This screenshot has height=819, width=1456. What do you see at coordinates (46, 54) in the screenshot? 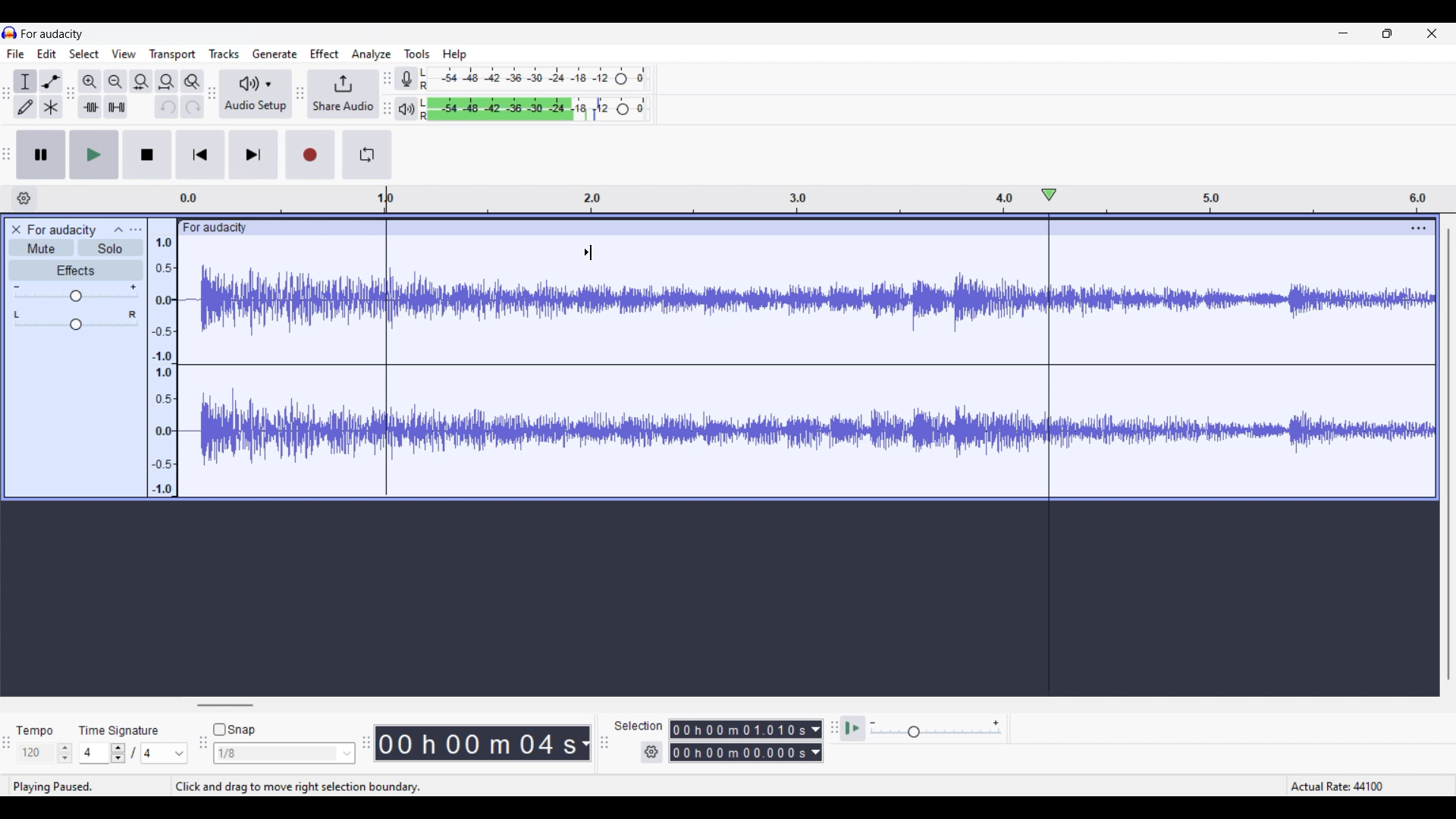
I see `Edit menu` at bounding box center [46, 54].